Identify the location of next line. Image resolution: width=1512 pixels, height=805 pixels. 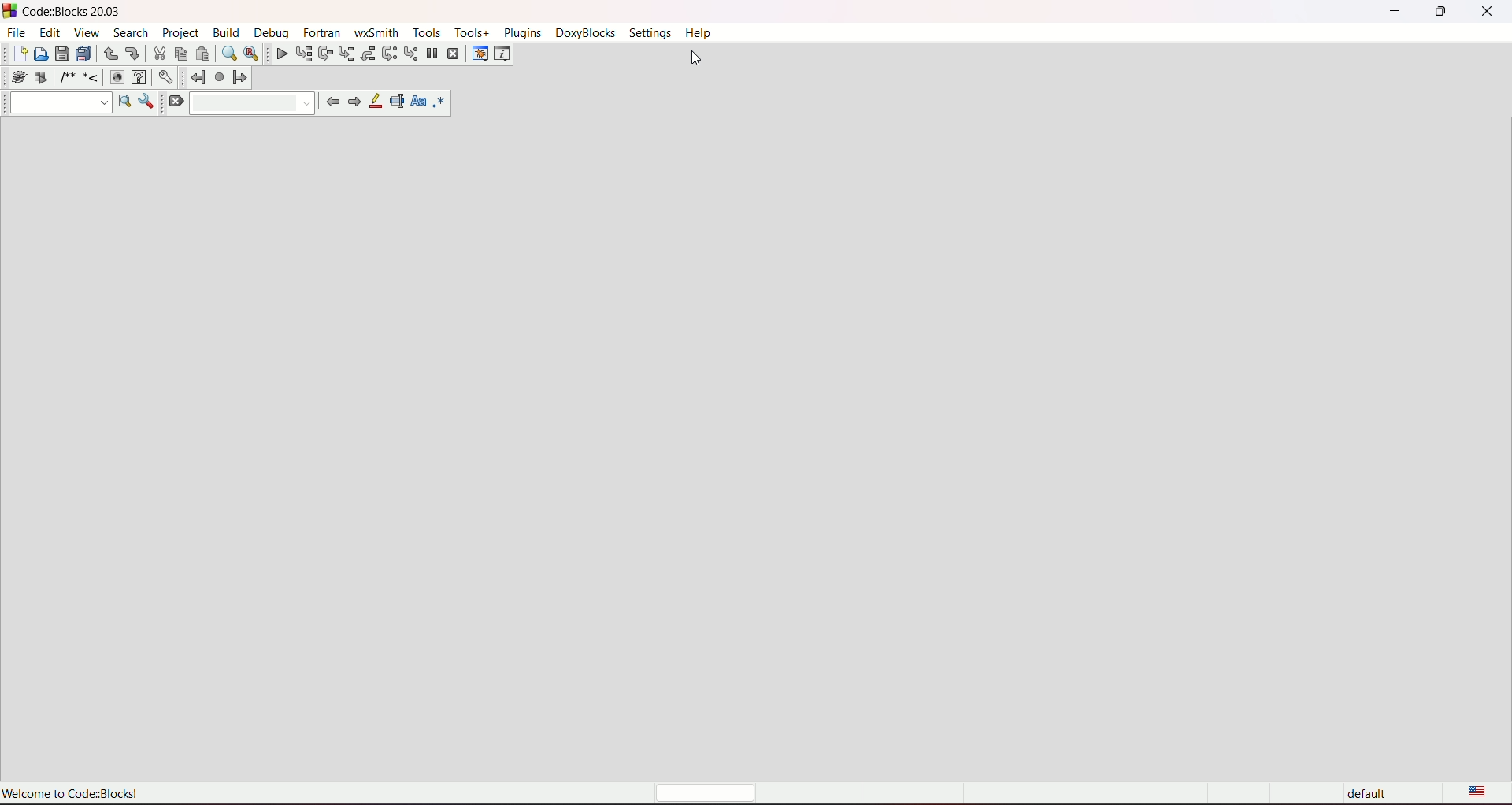
(325, 54).